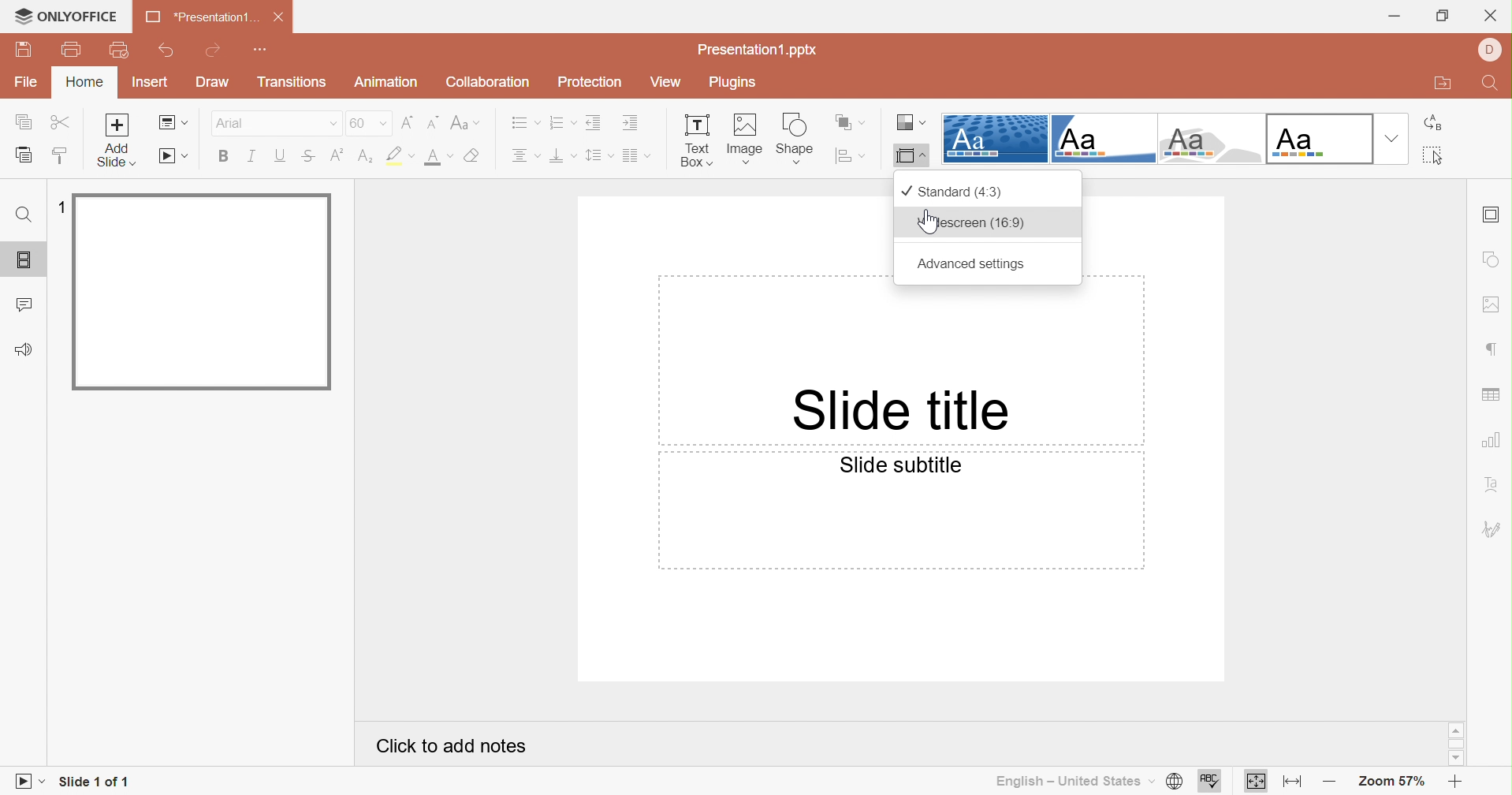 This screenshot has height=795, width=1512. I want to click on Change slide layout, so click(173, 121).